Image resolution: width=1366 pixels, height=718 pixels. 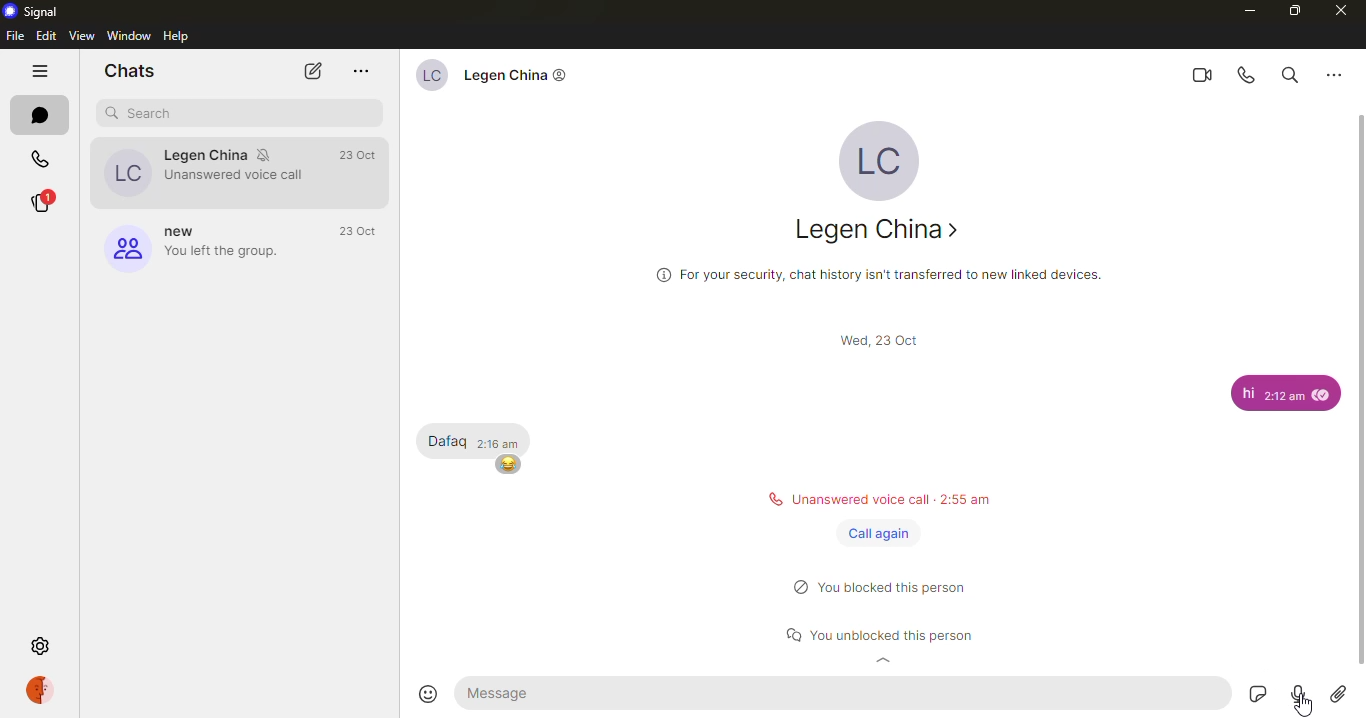 I want to click on emoji, so click(x=508, y=467).